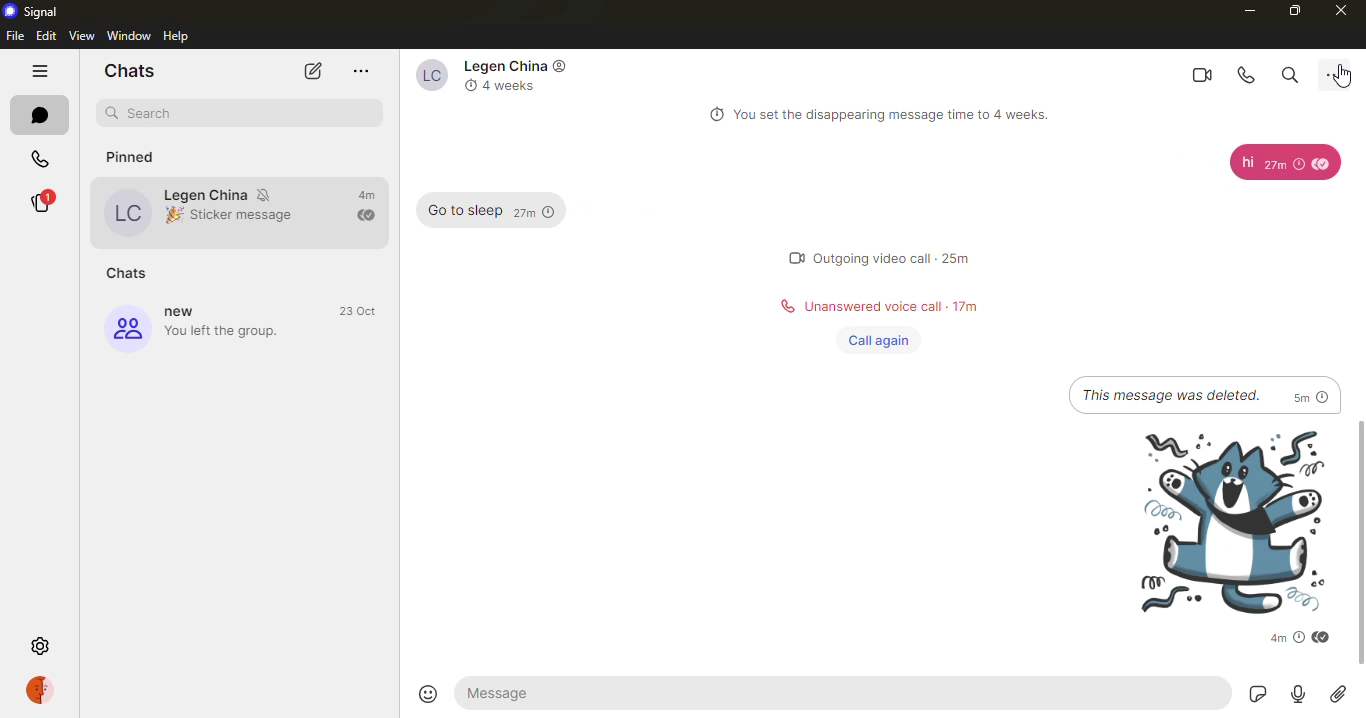 The image size is (1366, 718). What do you see at coordinates (512, 693) in the screenshot?
I see `message` at bounding box center [512, 693].